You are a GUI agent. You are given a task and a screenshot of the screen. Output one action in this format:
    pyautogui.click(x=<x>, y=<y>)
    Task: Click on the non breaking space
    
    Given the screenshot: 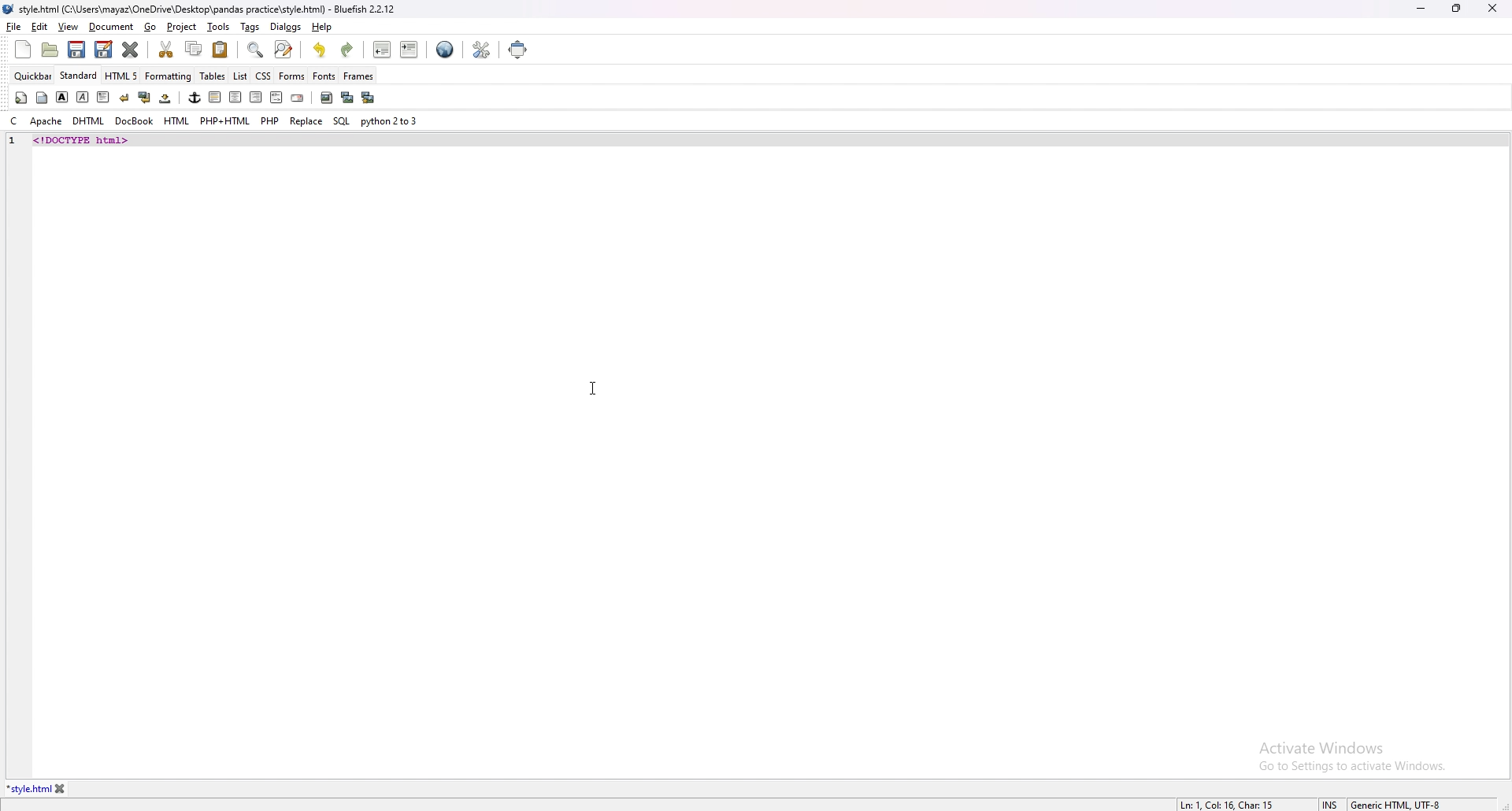 What is the action you would take?
    pyautogui.click(x=166, y=98)
    